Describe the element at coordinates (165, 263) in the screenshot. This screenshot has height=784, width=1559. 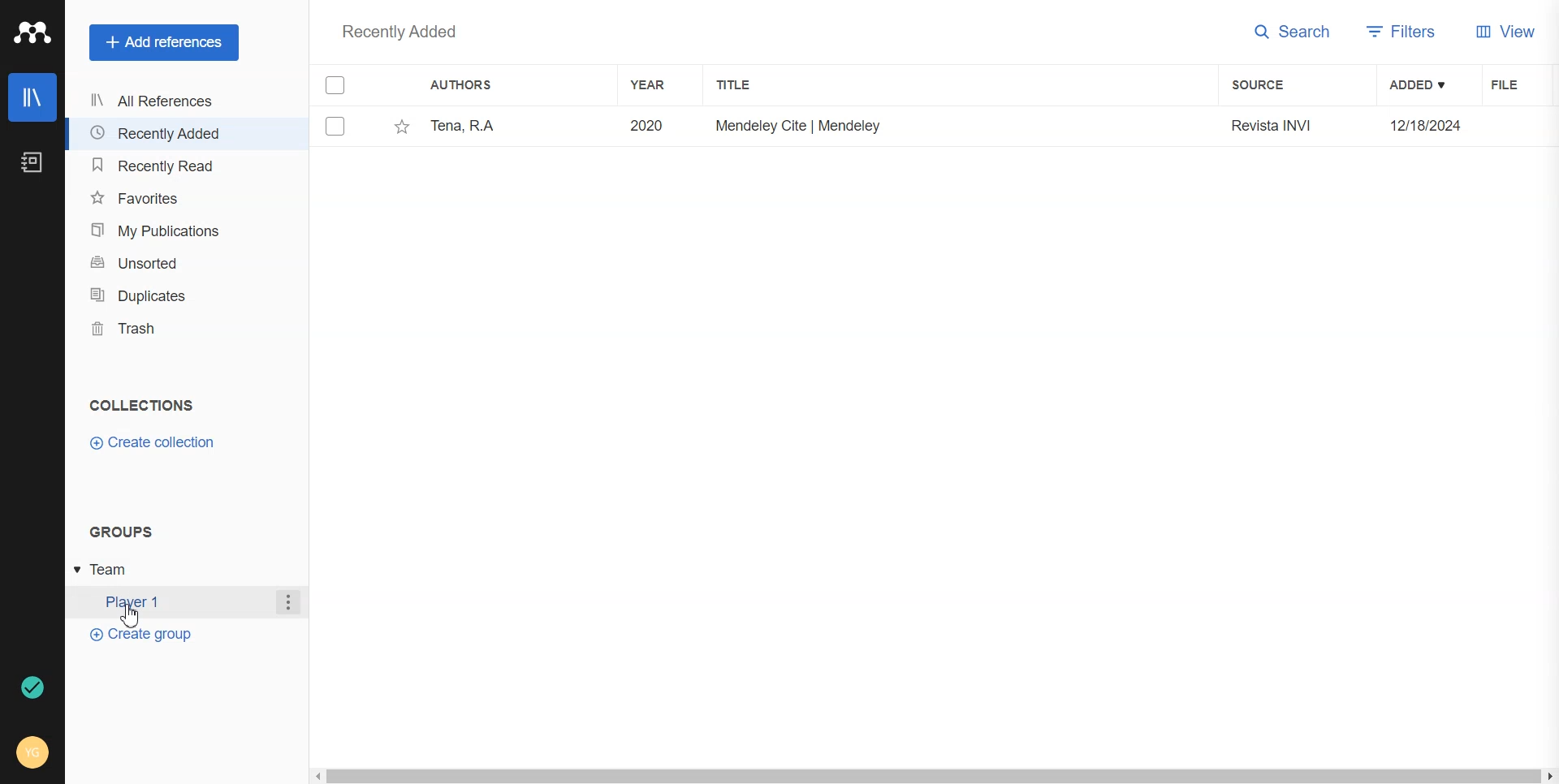
I see `Unsorted` at that location.